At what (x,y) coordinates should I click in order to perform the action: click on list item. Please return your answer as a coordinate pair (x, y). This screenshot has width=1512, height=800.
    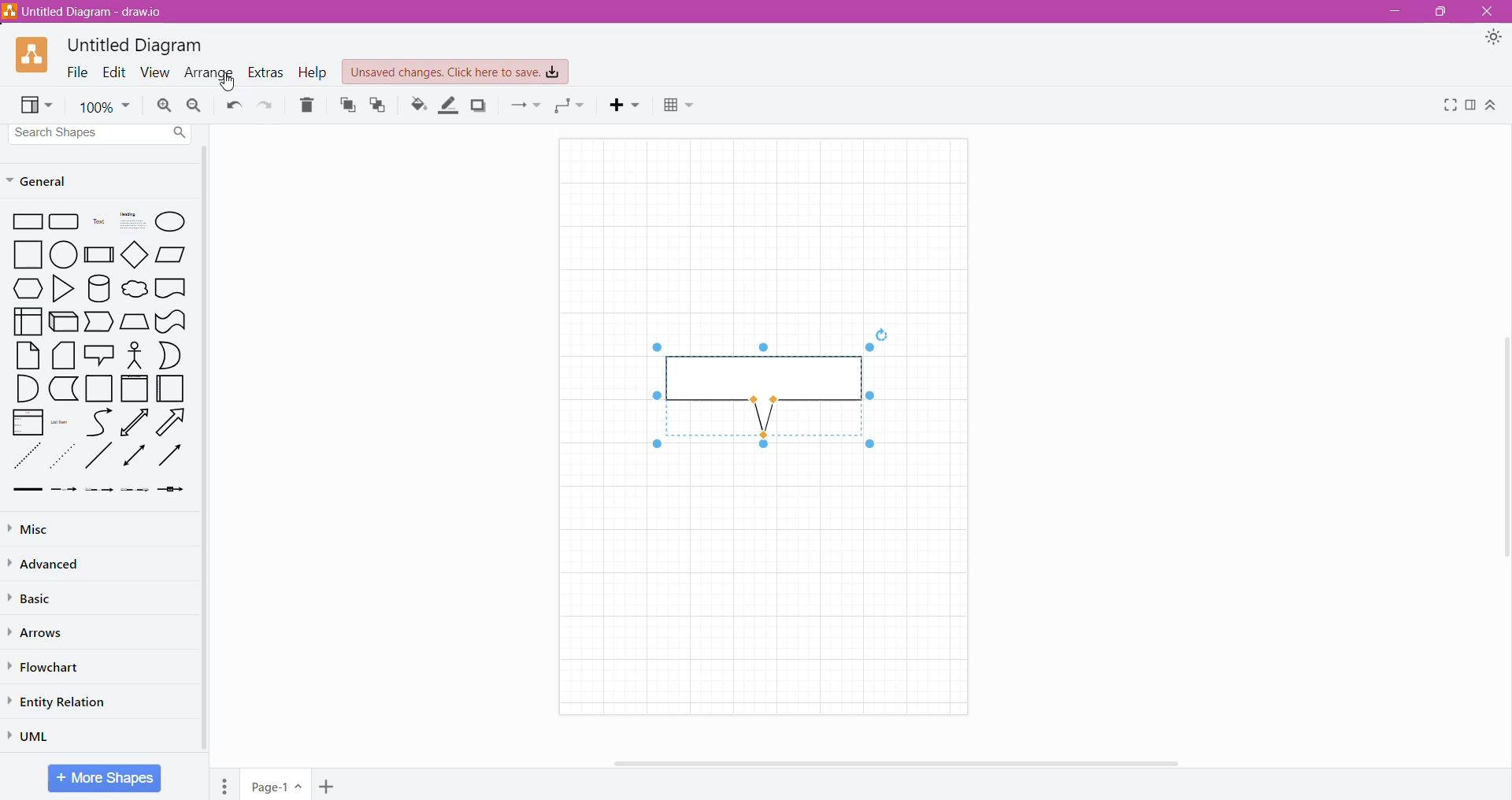
    Looking at the image, I should click on (63, 421).